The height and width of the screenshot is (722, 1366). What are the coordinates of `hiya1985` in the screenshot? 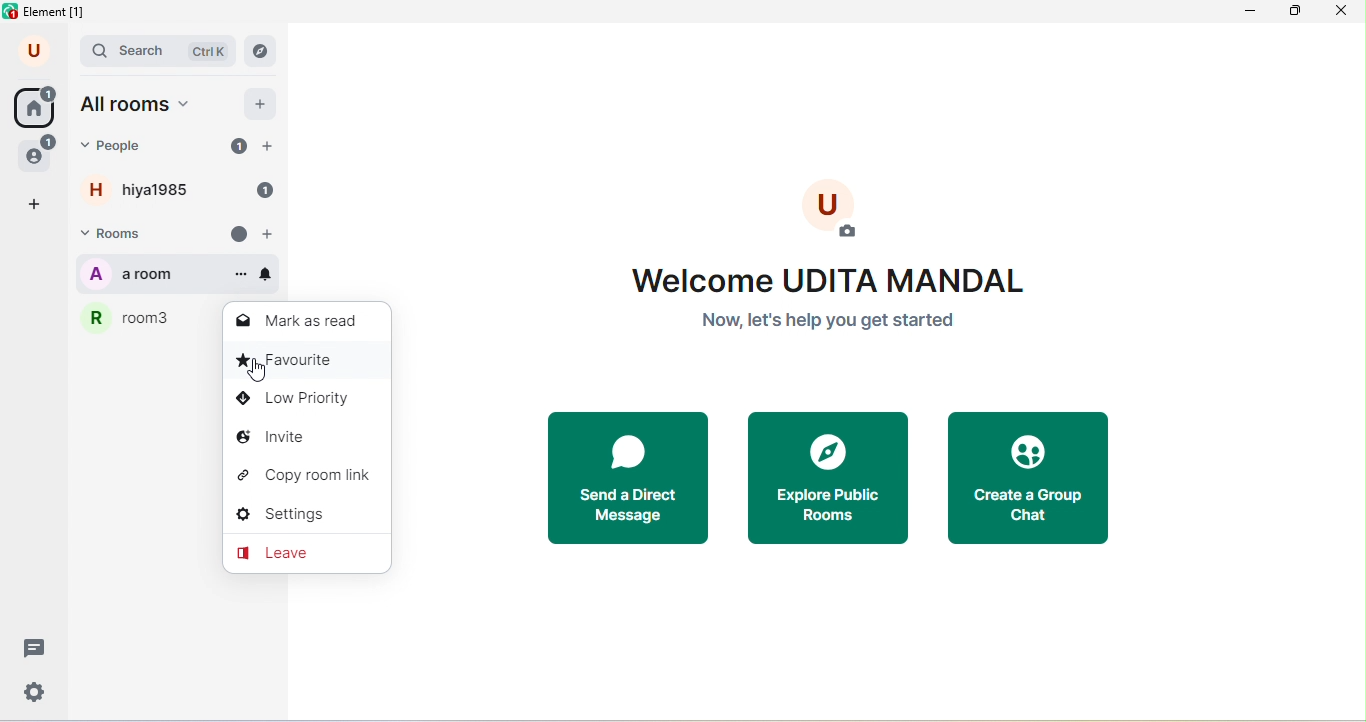 It's located at (159, 190).